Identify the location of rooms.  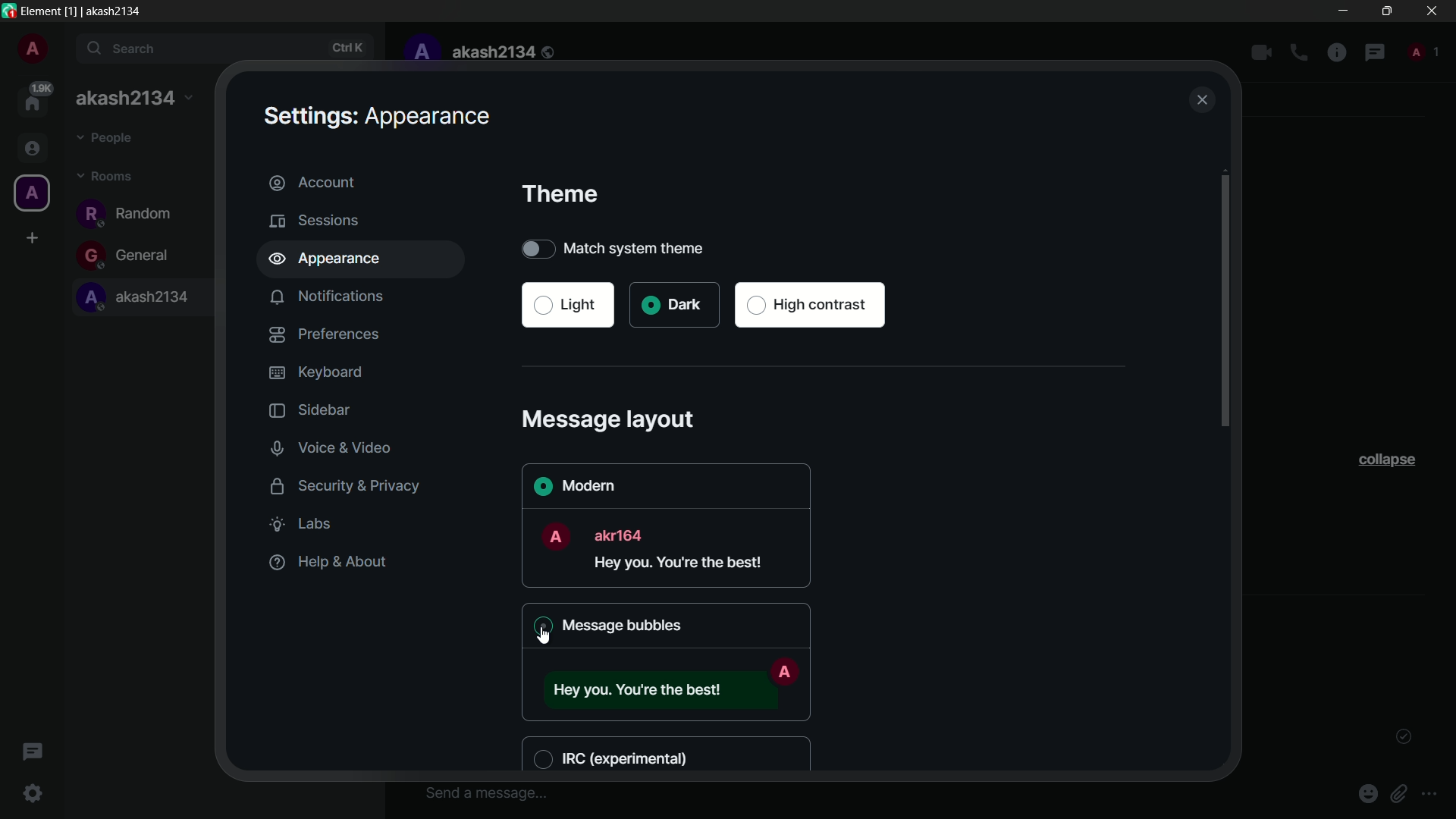
(106, 177).